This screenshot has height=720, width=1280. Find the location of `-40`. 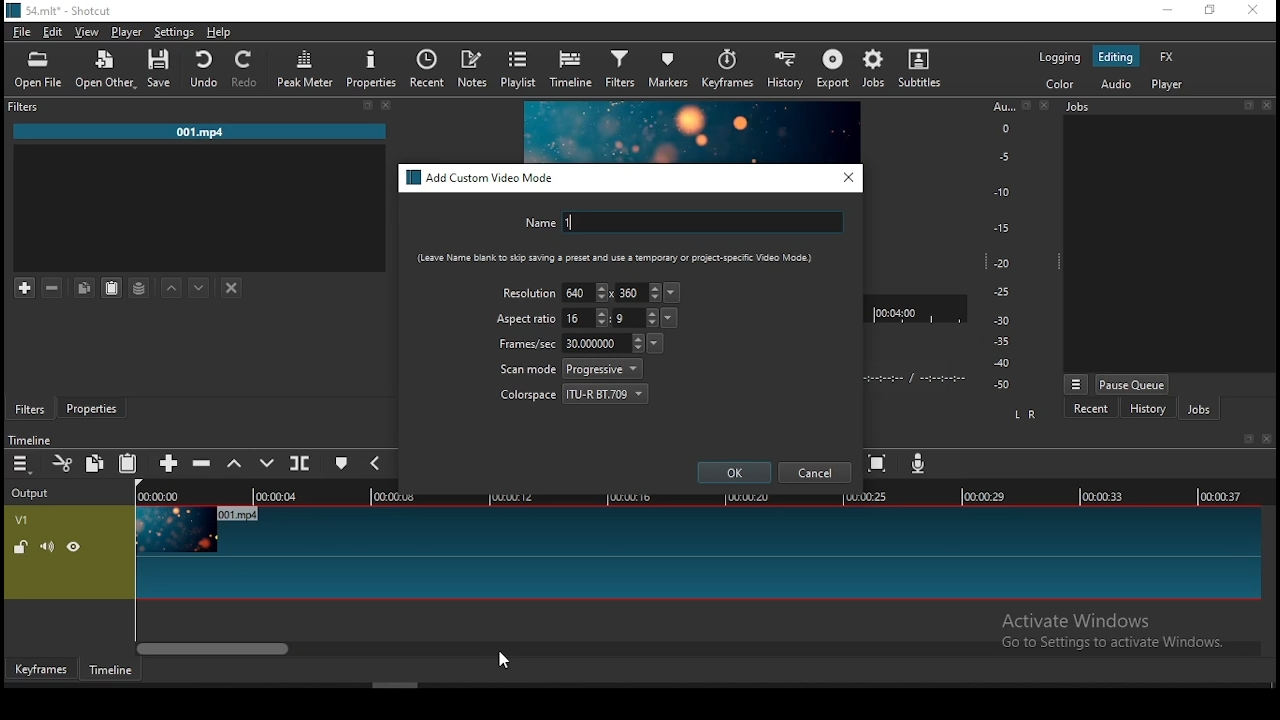

-40 is located at coordinates (1002, 363).